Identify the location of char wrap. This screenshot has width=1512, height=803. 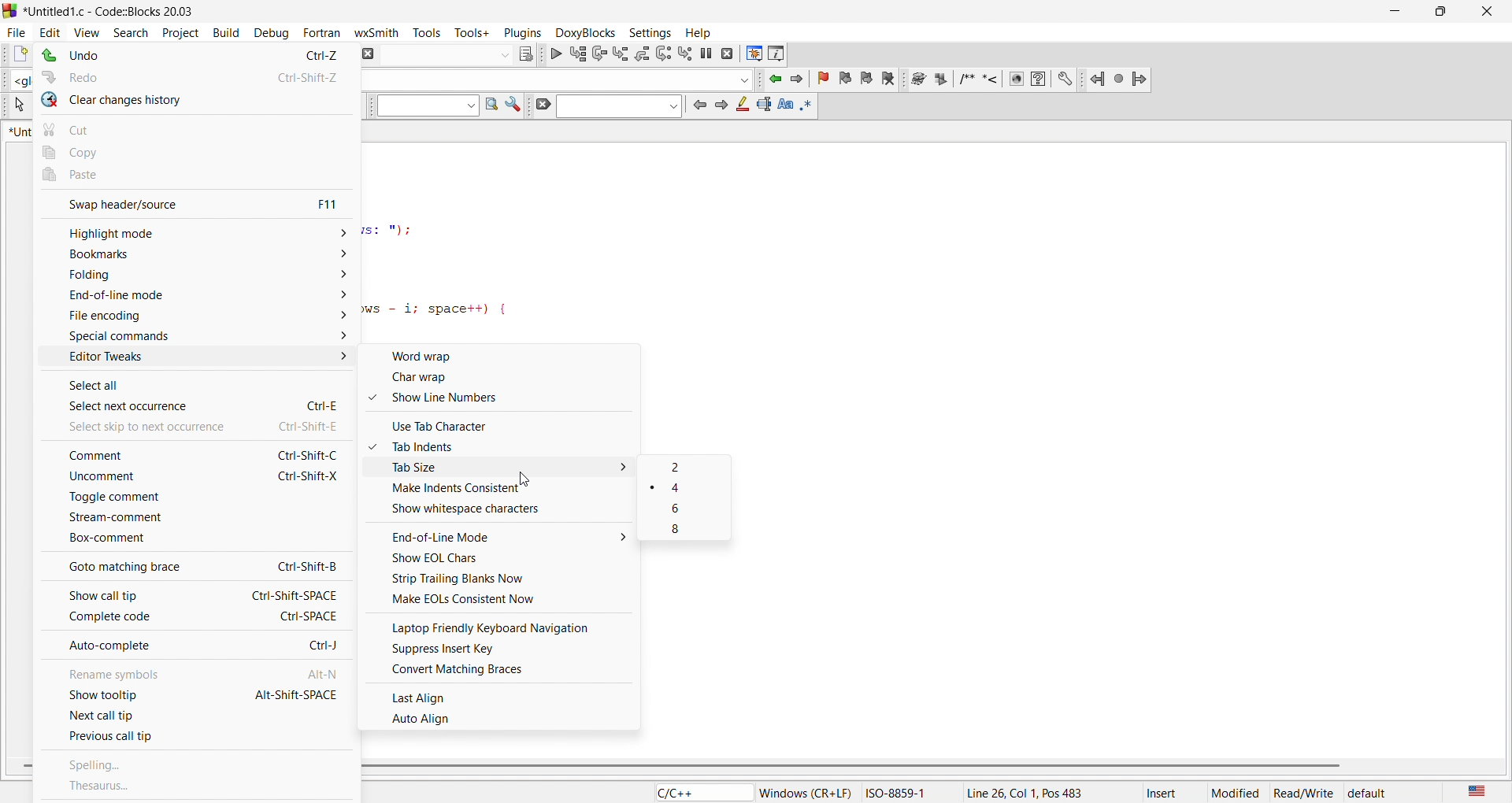
(508, 380).